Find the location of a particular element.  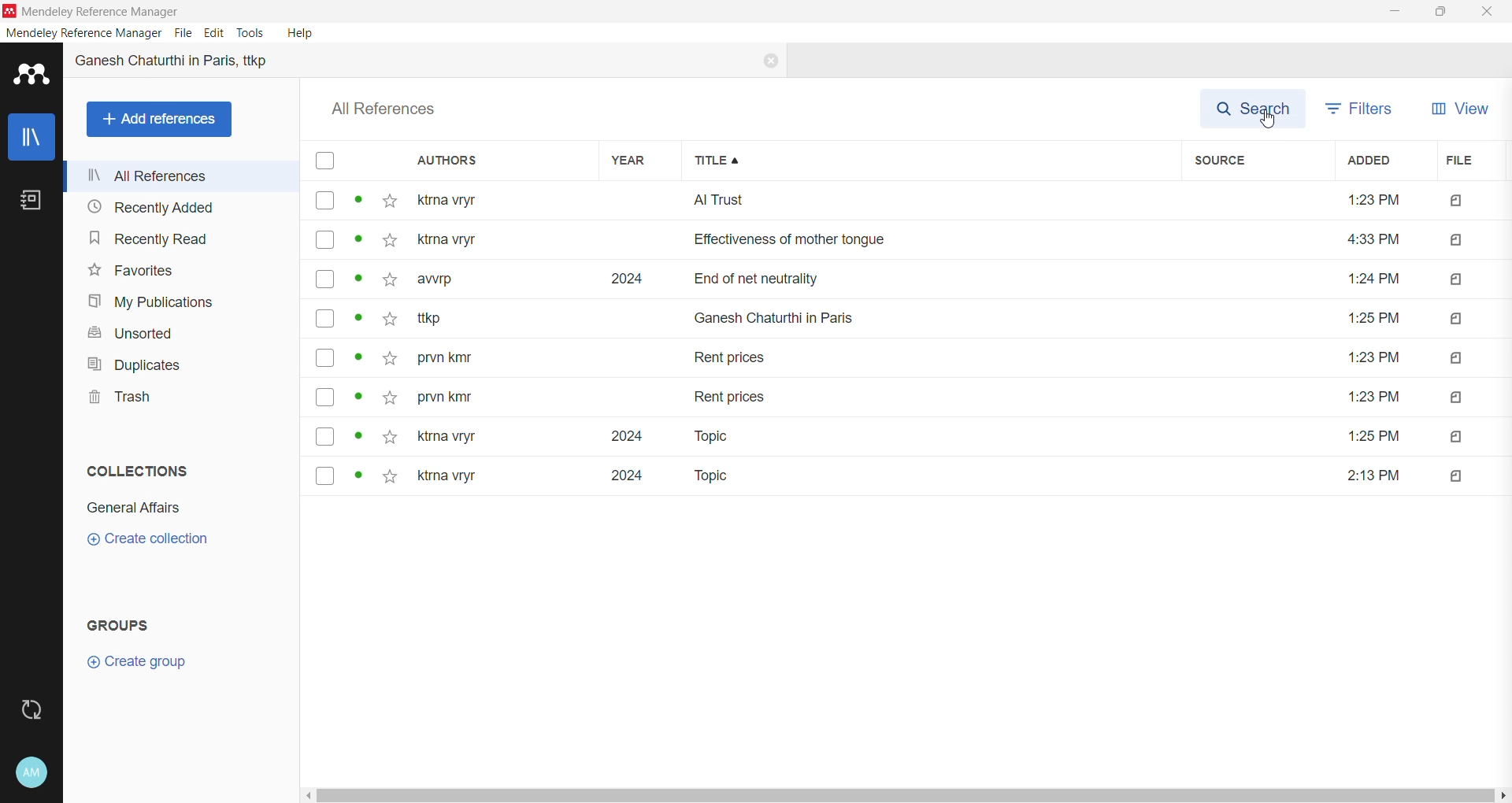

file type is located at coordinates (1455, 320).